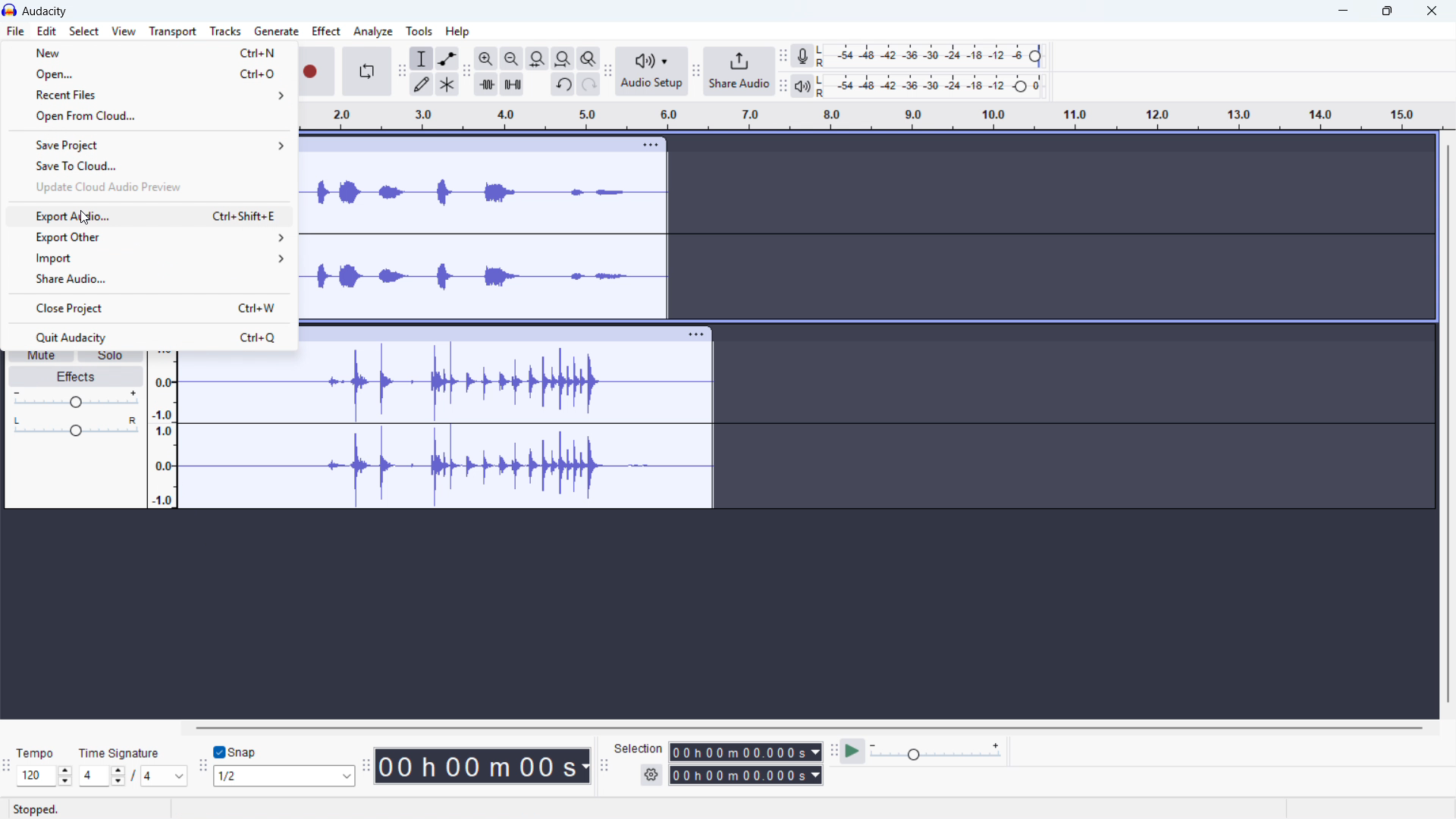 Image resolution: width=1456 pixels, height=819 pixels. What do you see at coordinates (746, 776) in the screenshot?
I see `Selection end time` at bounding box center [746, 776].